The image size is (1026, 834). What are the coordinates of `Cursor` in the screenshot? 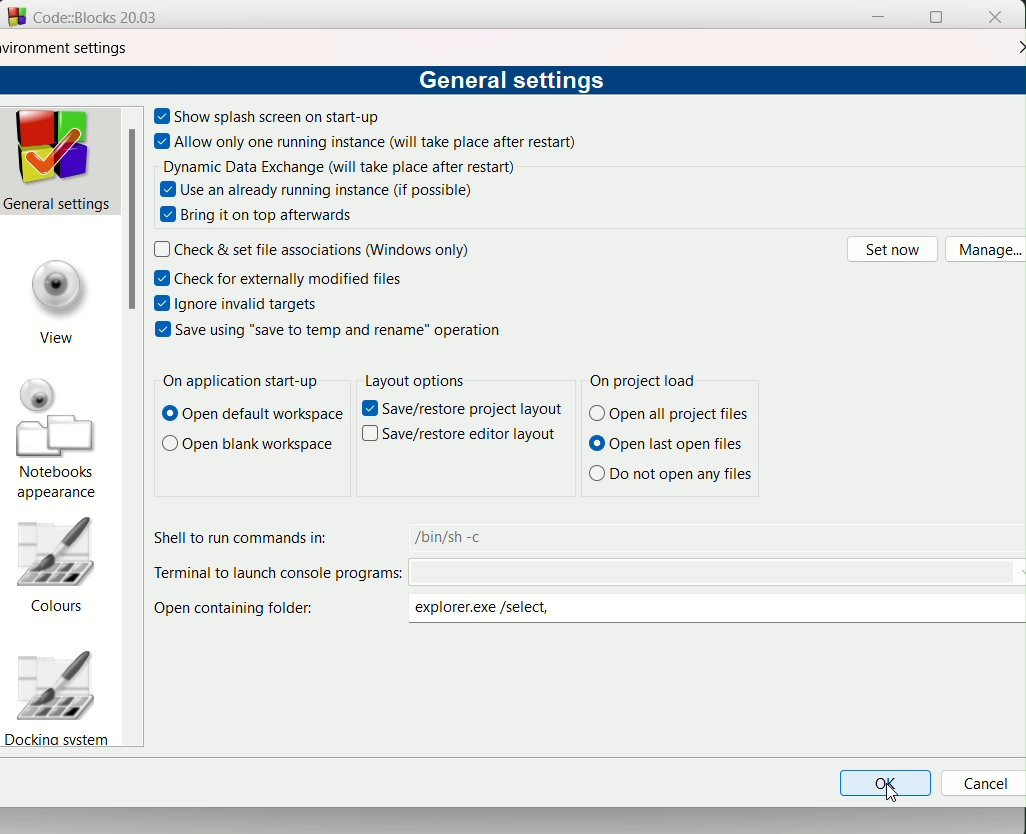 It's located at (892, 792).